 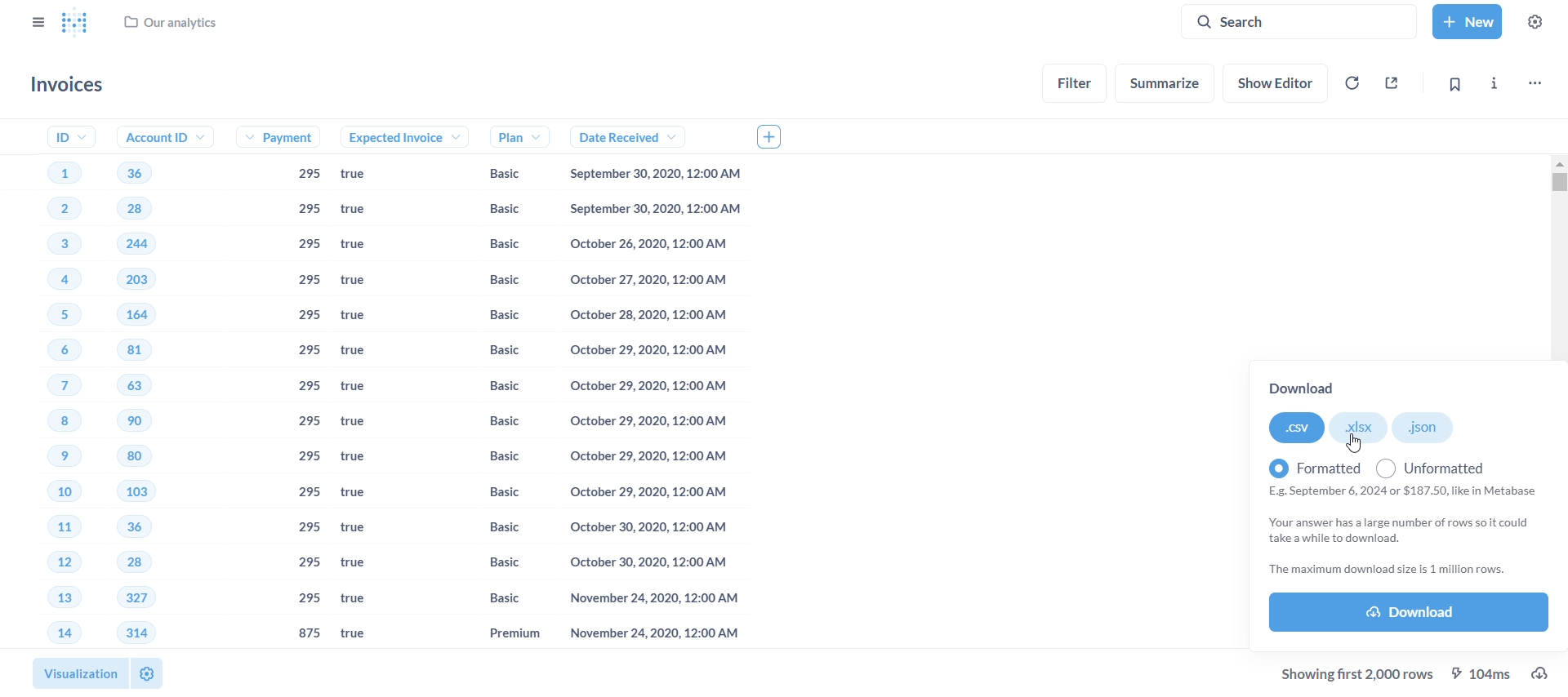 What do you see at coordinates (649, 526) in the screenshot?
I see `October 30,2020, 12:00 AM` at bounding box center [649, 526].